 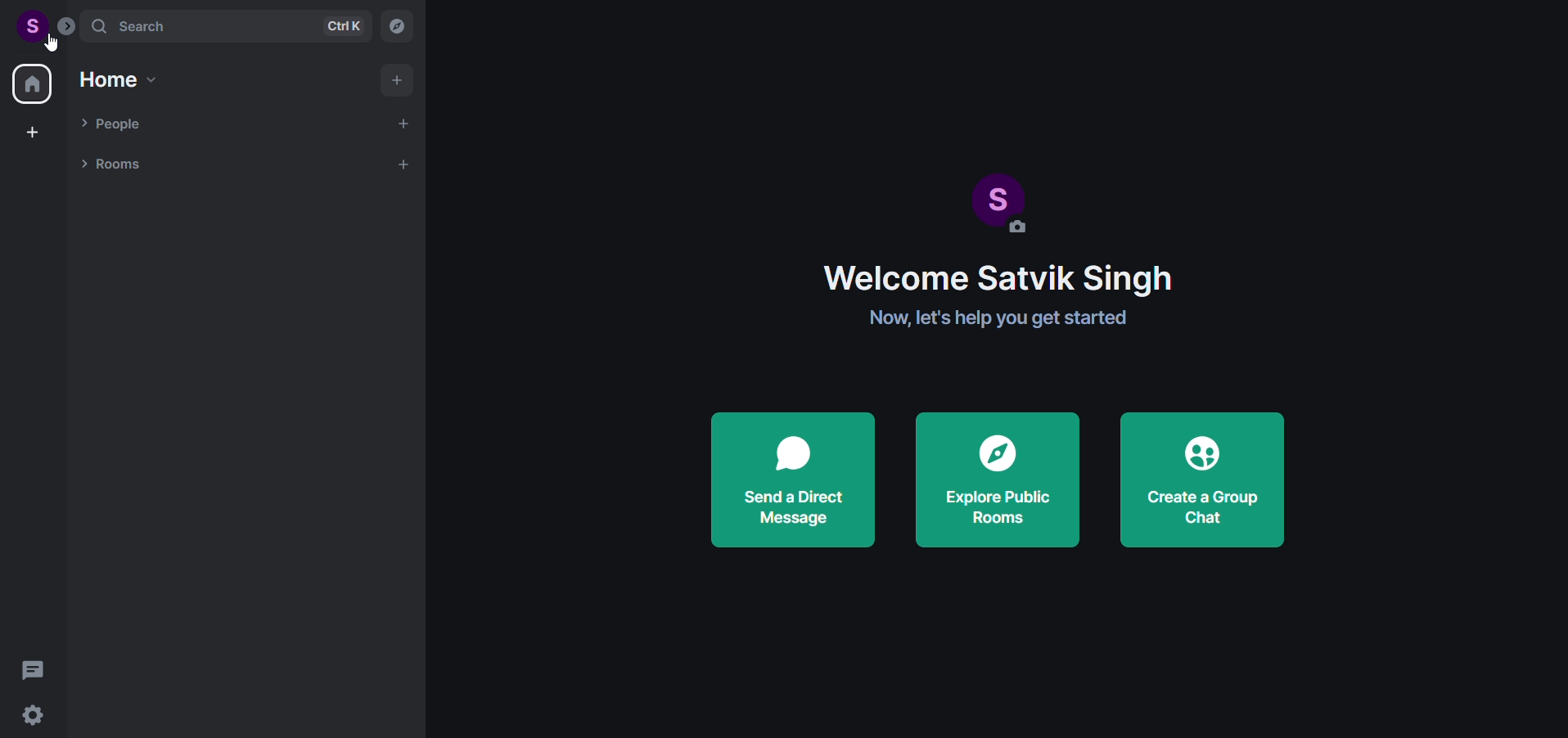 I want to click on start chat, so click(x=404, y=123).